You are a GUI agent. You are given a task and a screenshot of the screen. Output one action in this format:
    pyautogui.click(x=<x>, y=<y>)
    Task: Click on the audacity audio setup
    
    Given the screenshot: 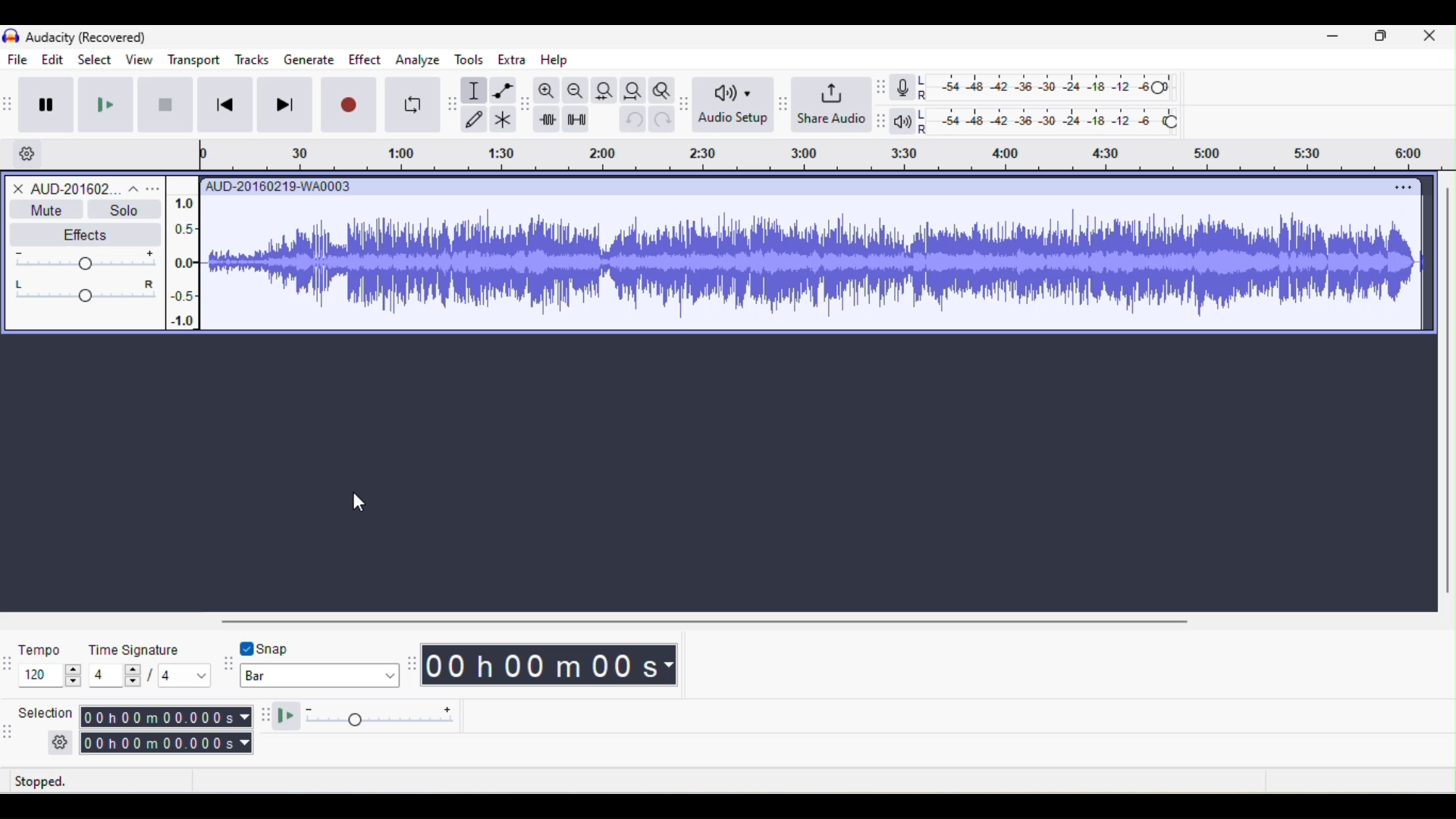 What is the action you would take?
    pyautogui.click(x=686, y=102)
    